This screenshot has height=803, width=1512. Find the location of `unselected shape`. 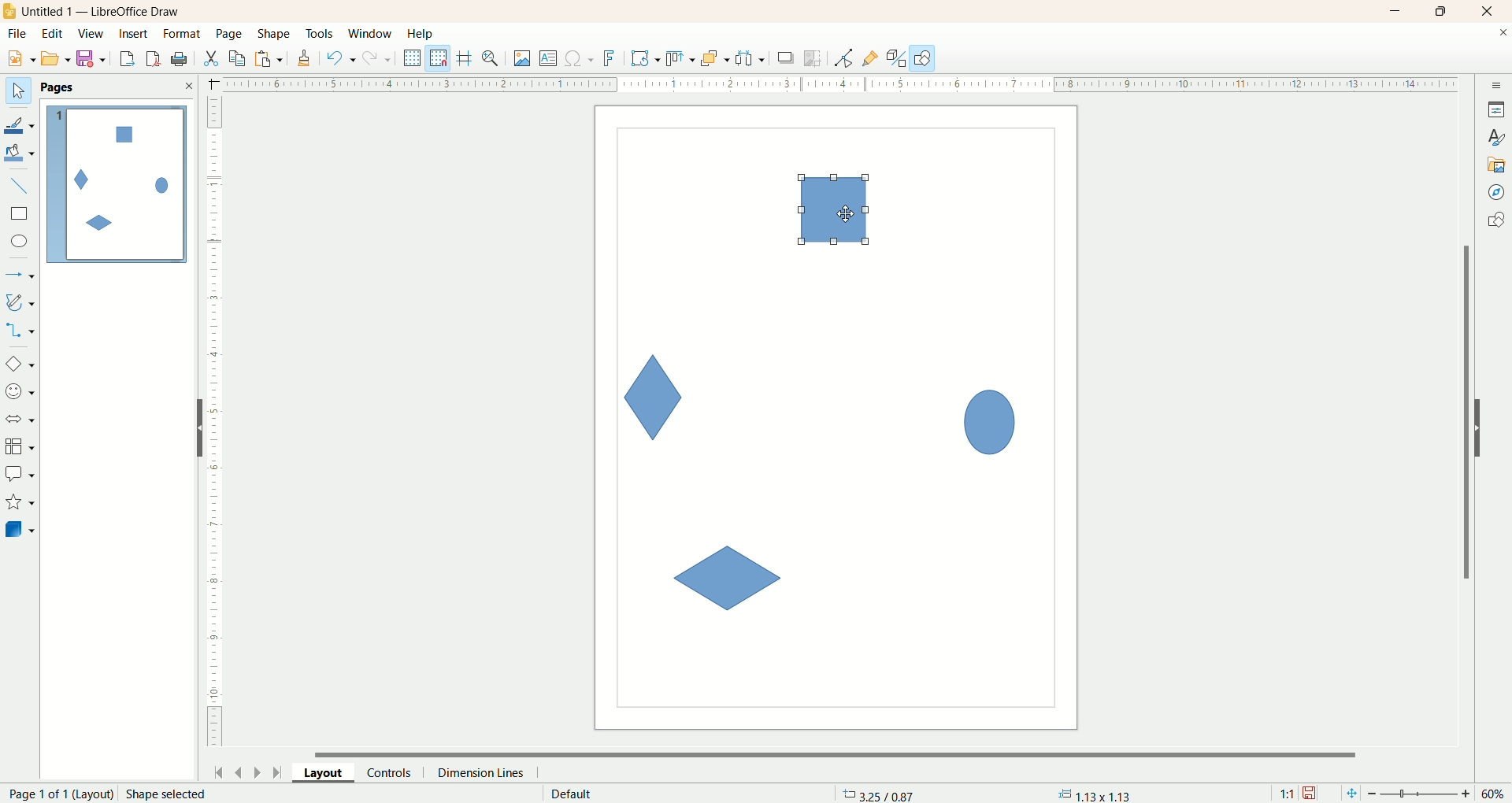

unselected shape is located at coordinates (990, 419).